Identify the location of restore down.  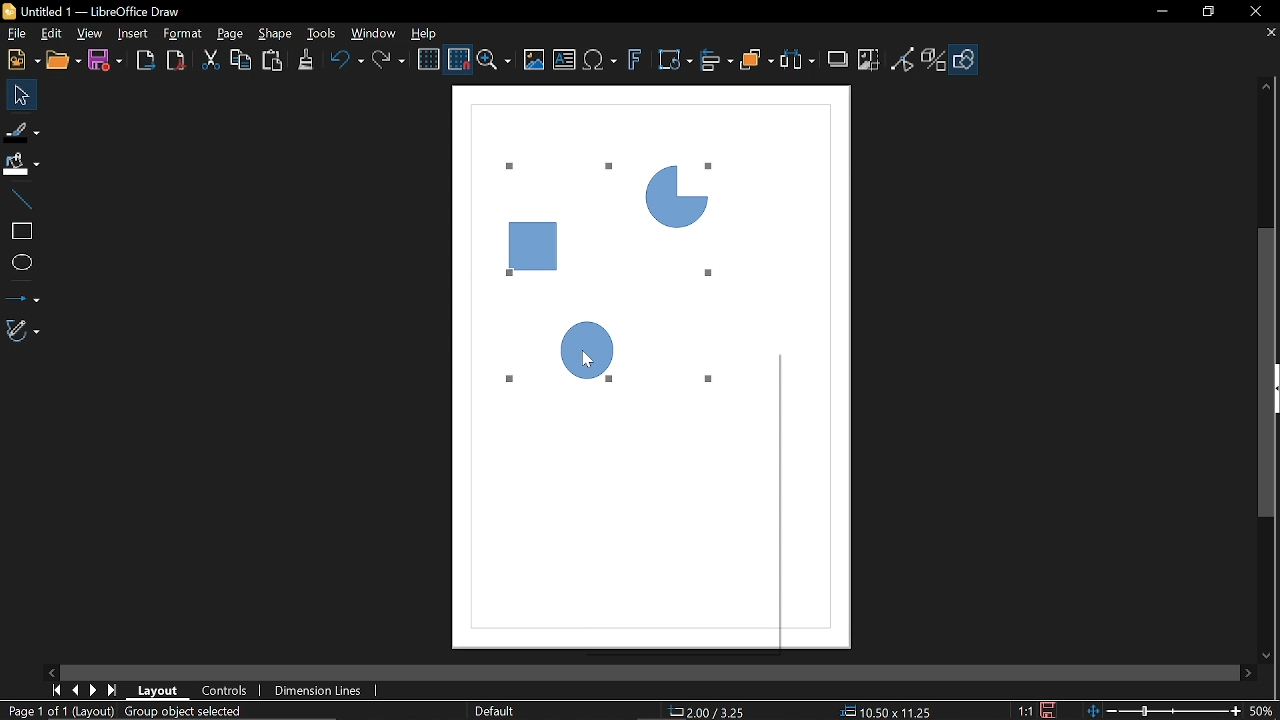
(1205, 13).